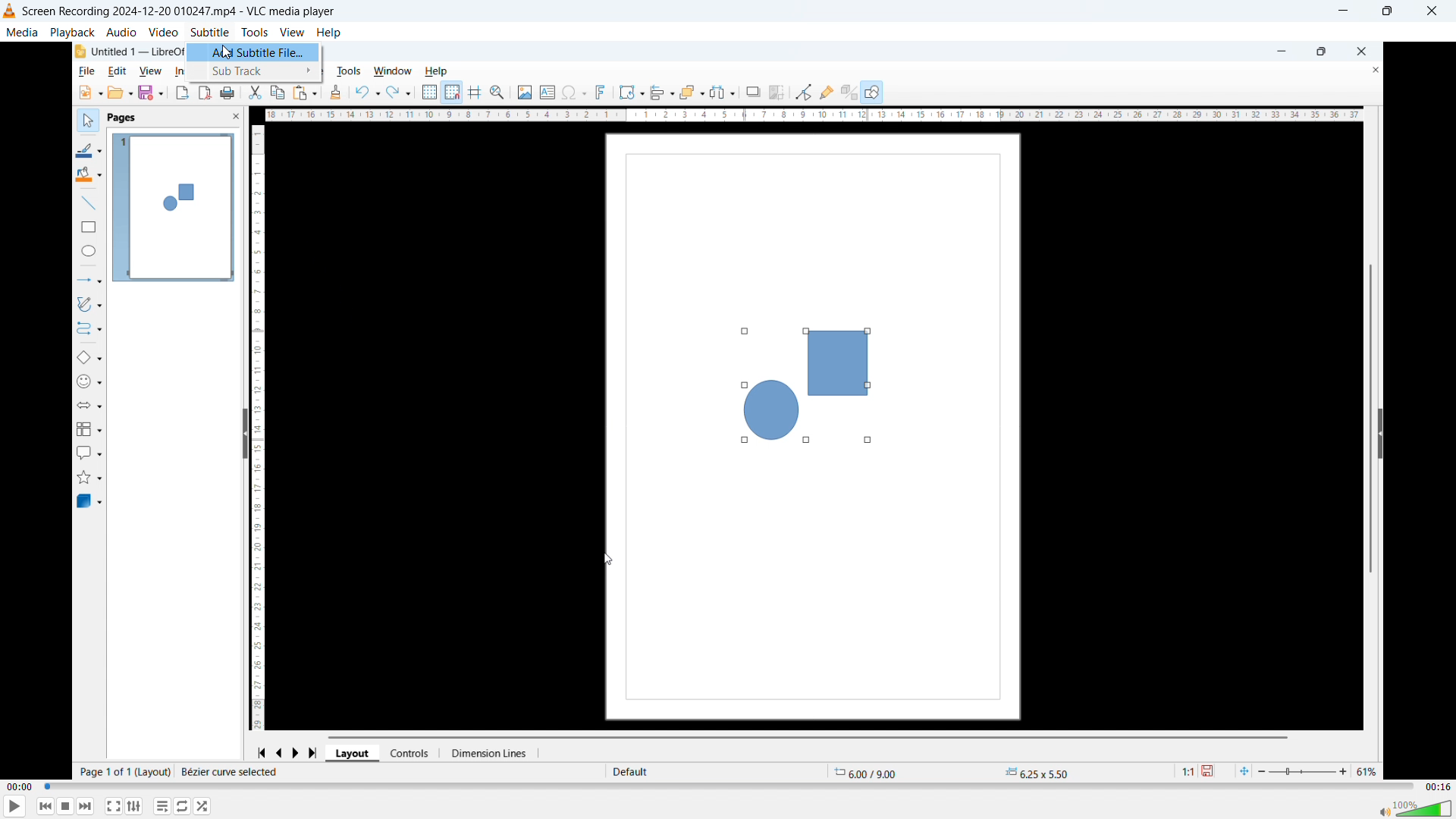 The width and height of the screenshot is (1456, 819). I want to click on previous page, so click(281, 751).